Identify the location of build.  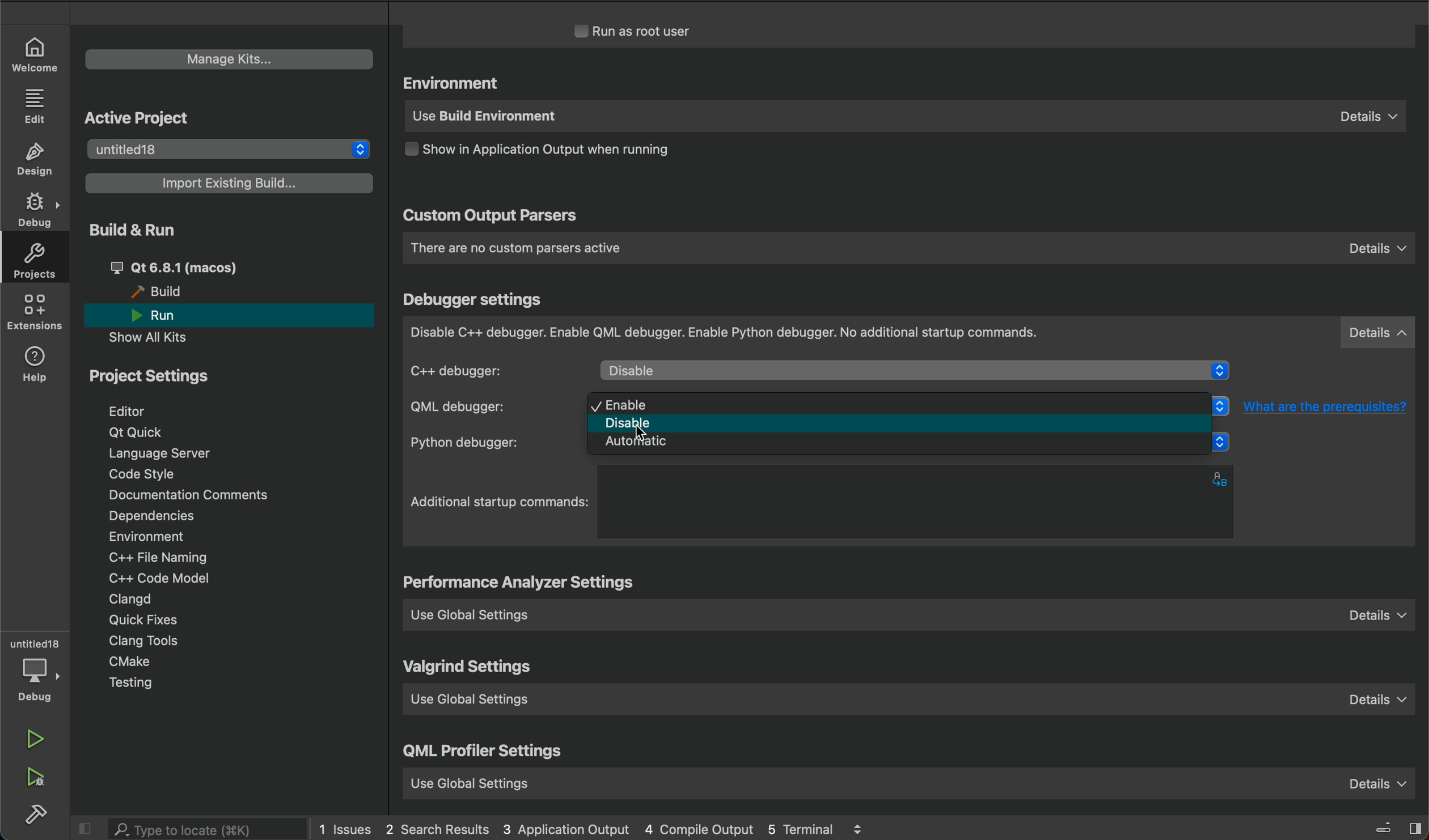
(163, 292).